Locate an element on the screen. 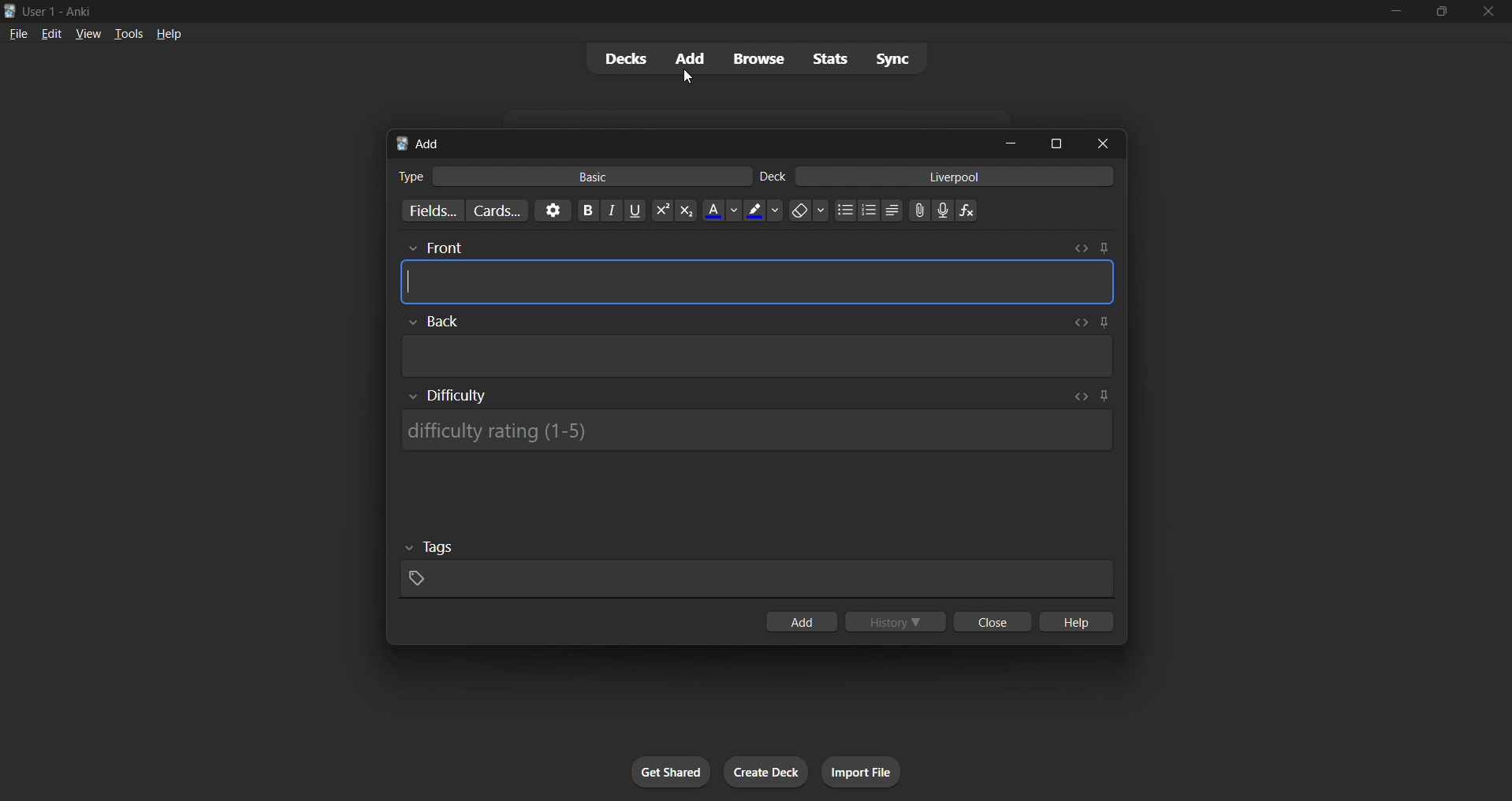 Image resolution: width=1512 pixels, height=801 pixels. stats is located at coordinates (833, 58).